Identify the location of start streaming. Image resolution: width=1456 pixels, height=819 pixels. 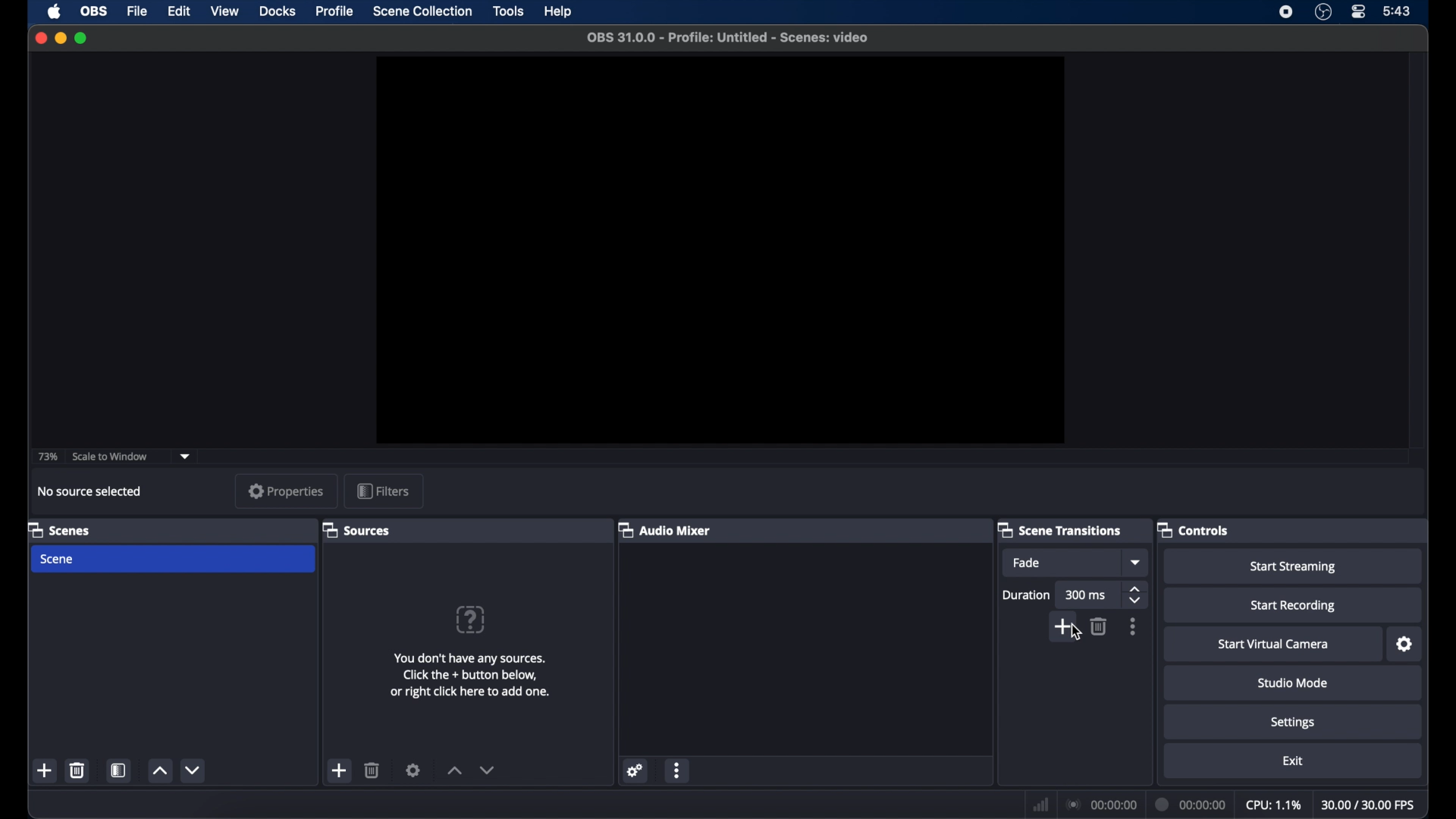
(1294, 566).